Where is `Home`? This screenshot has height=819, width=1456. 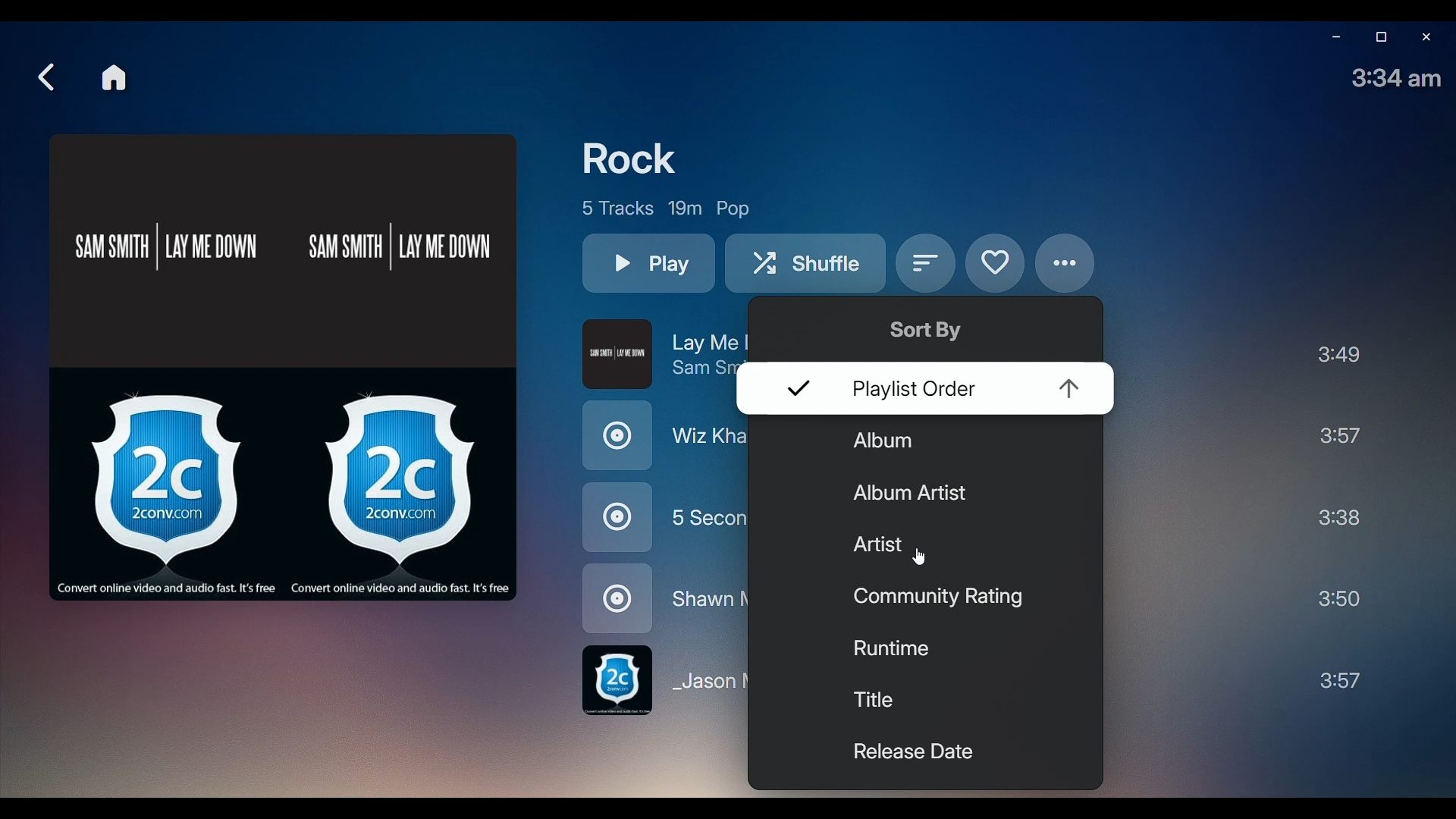 Home is located at coordinates (115, 77).